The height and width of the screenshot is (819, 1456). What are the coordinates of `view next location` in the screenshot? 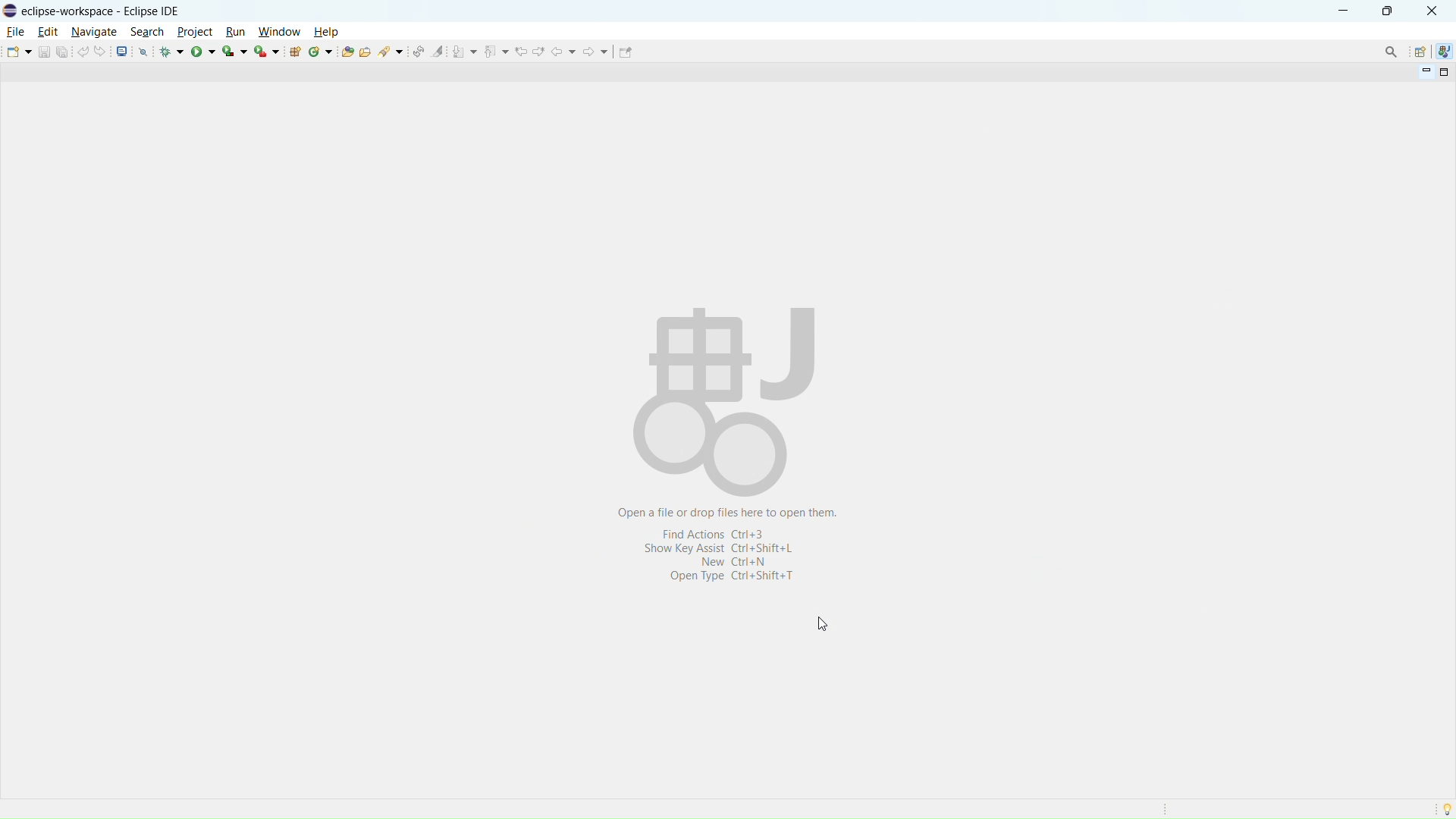 It's located at (539, 51).